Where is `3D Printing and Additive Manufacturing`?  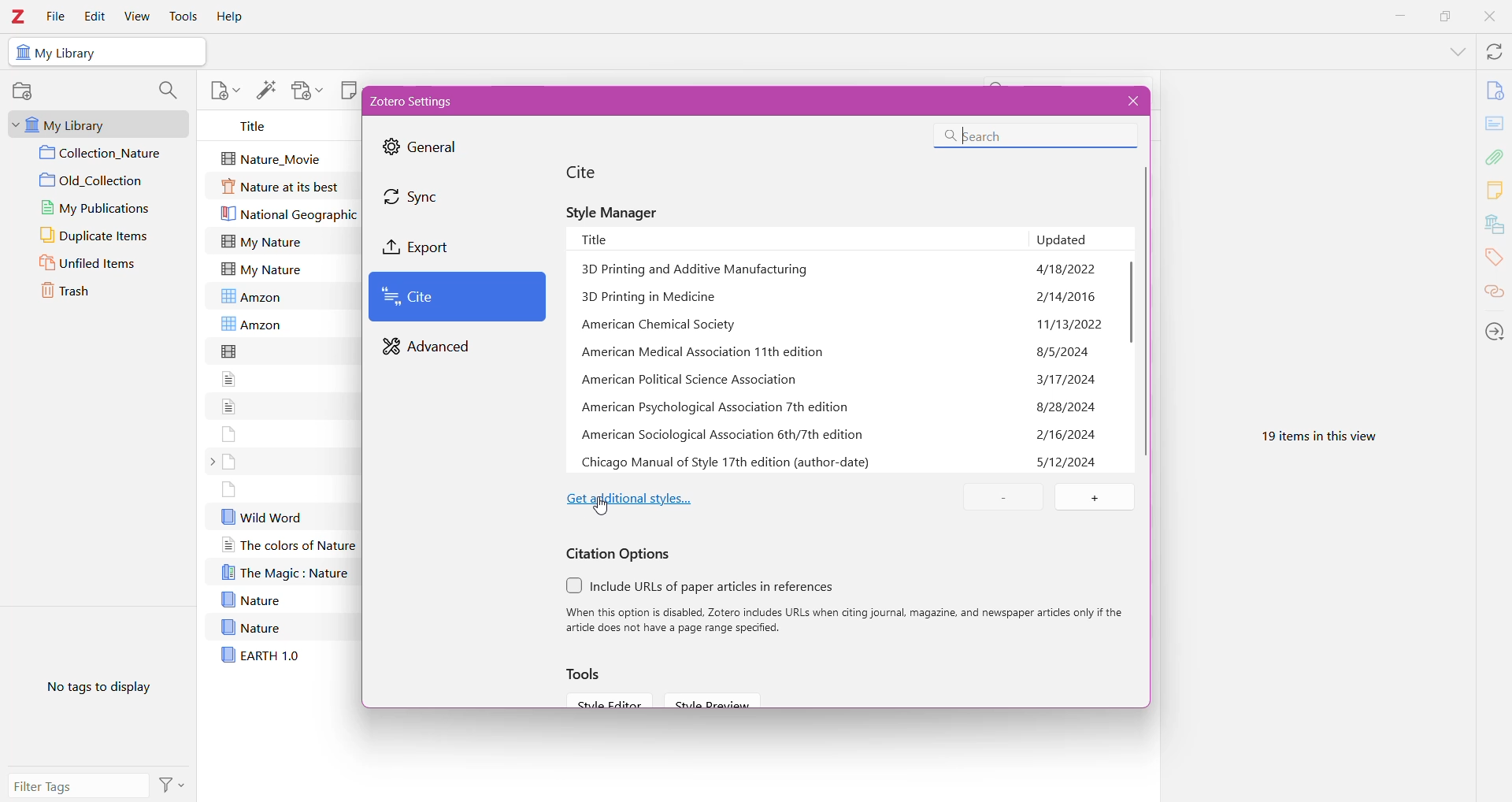
3D Printing and Additive Manufacturing is located at coordinates (697, 272).